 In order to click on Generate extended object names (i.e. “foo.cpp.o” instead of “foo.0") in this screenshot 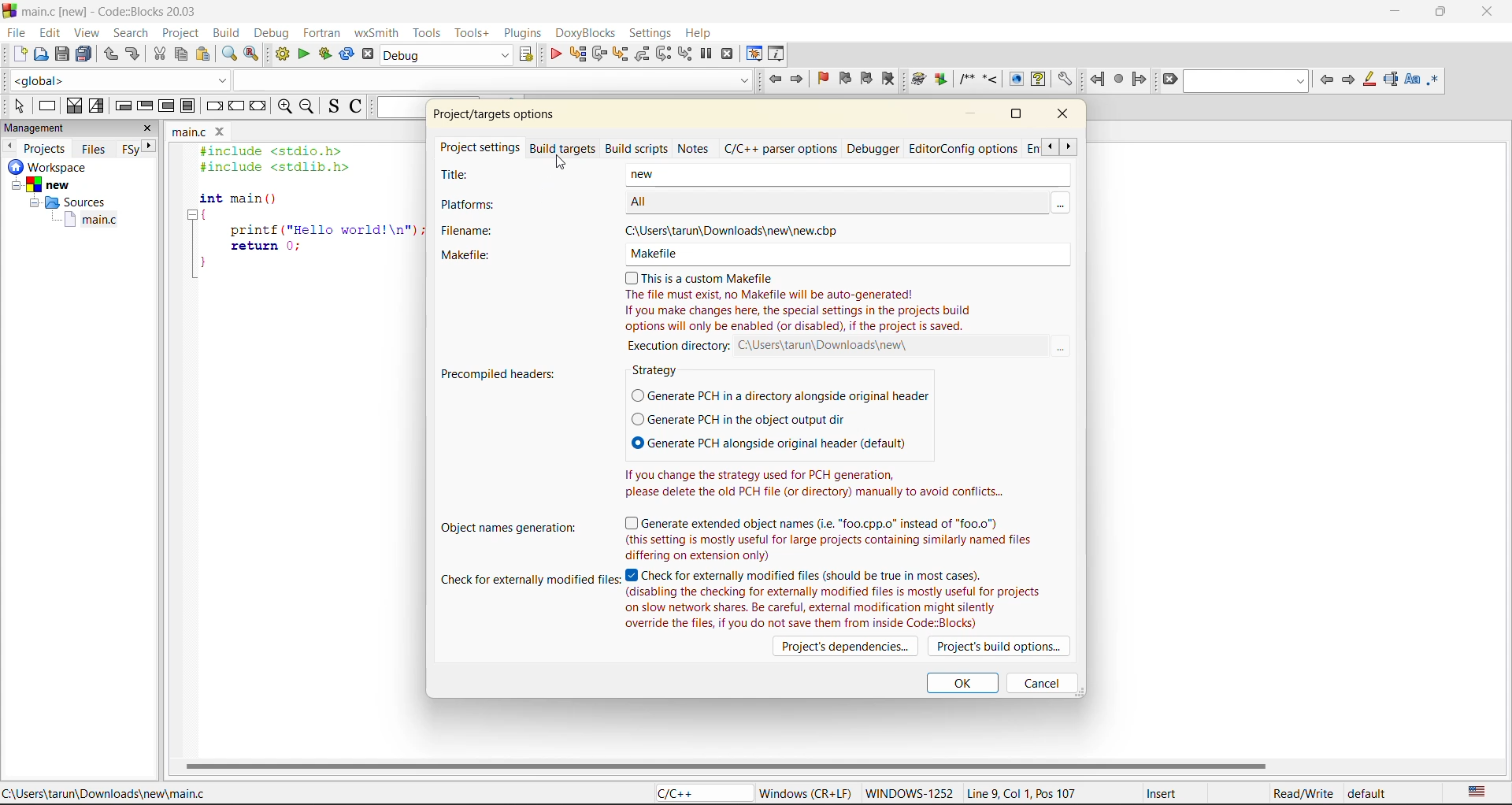, I will do `click(819, 521)`.